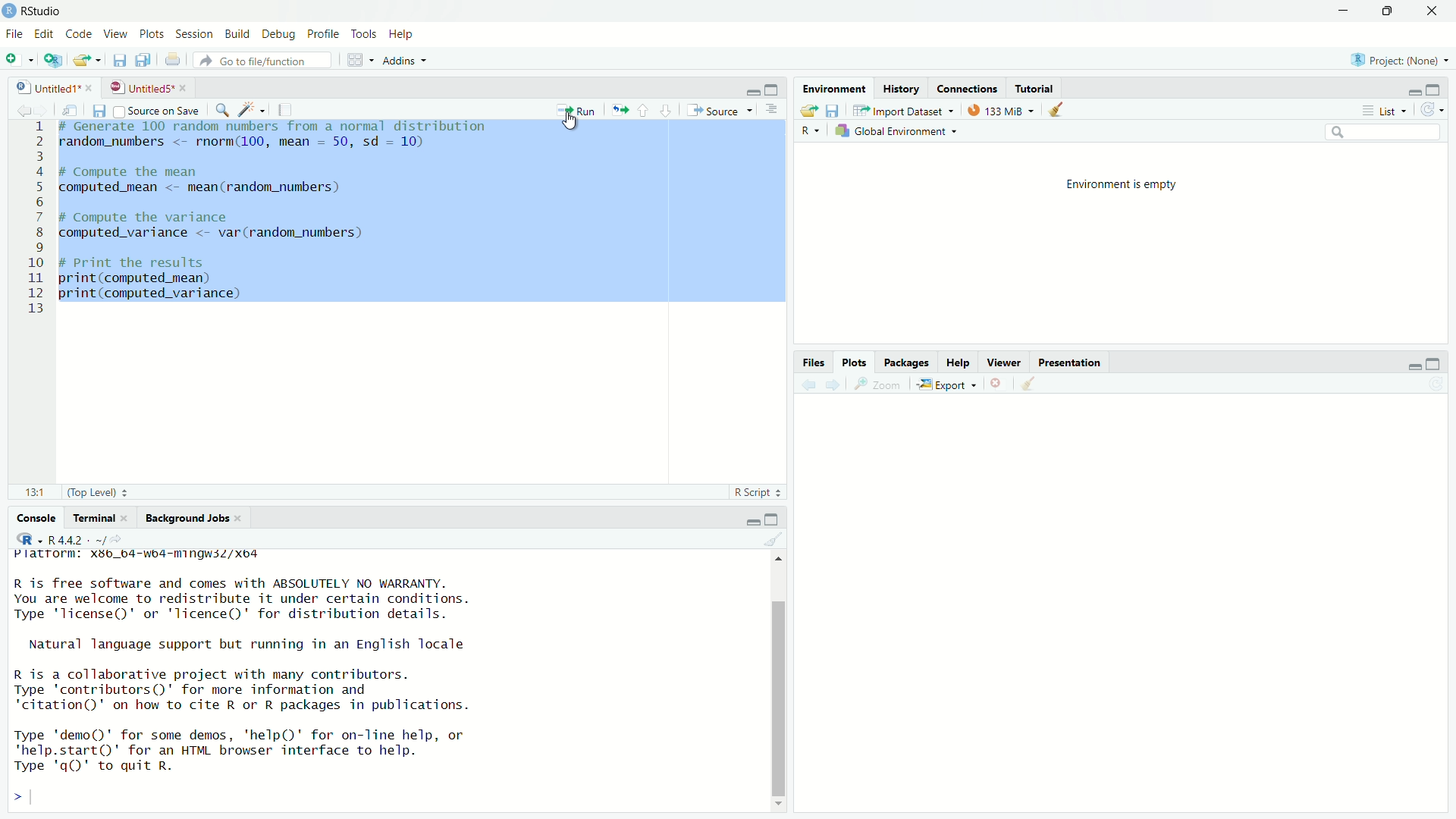 The height and width of the screenshot is (819, 1456). Describe the element at coordinates (174, 61) in the screenshot. I see `print the current file` at that location.